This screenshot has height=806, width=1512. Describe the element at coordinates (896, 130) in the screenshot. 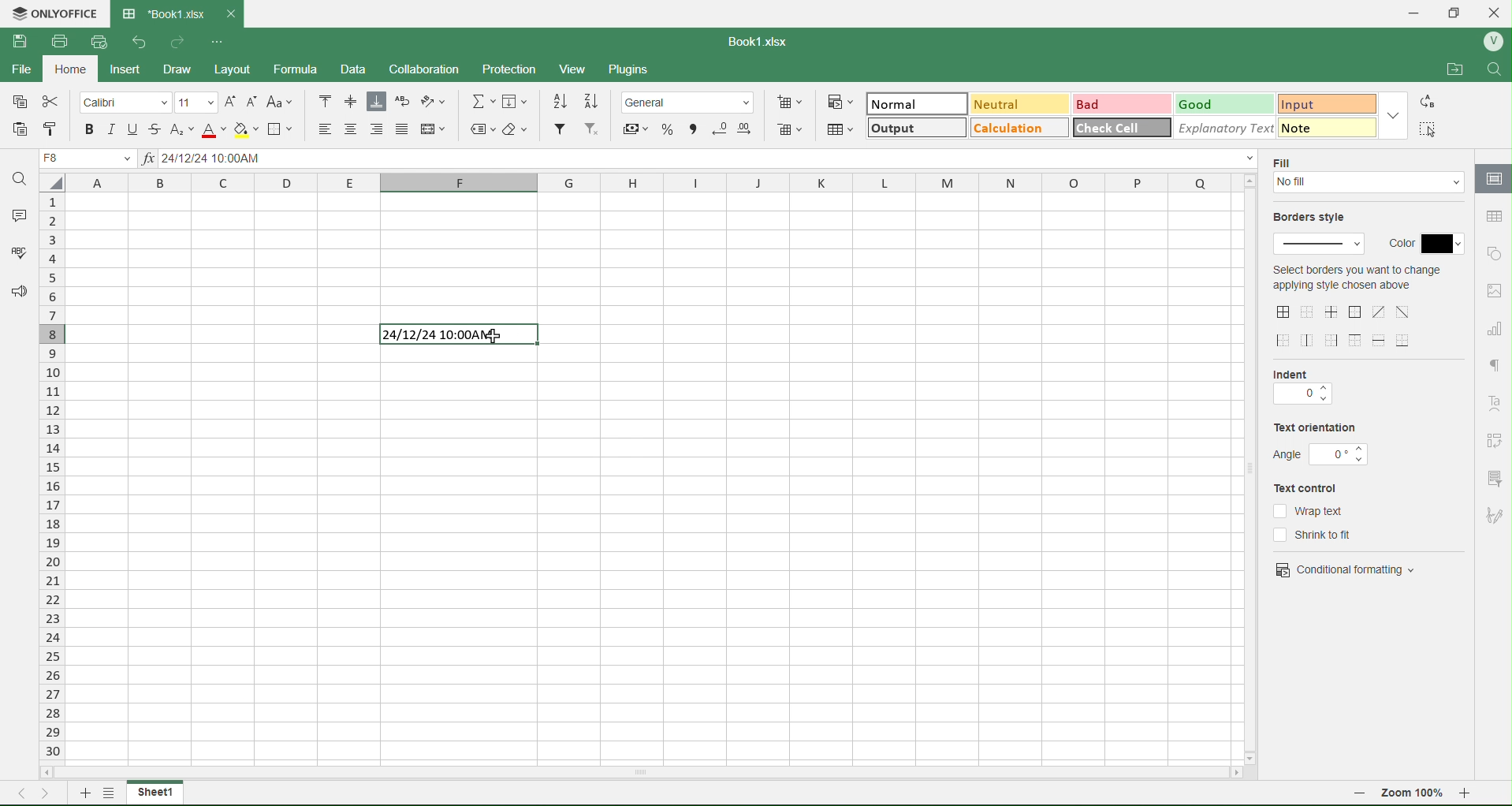

I see `output` at that location.